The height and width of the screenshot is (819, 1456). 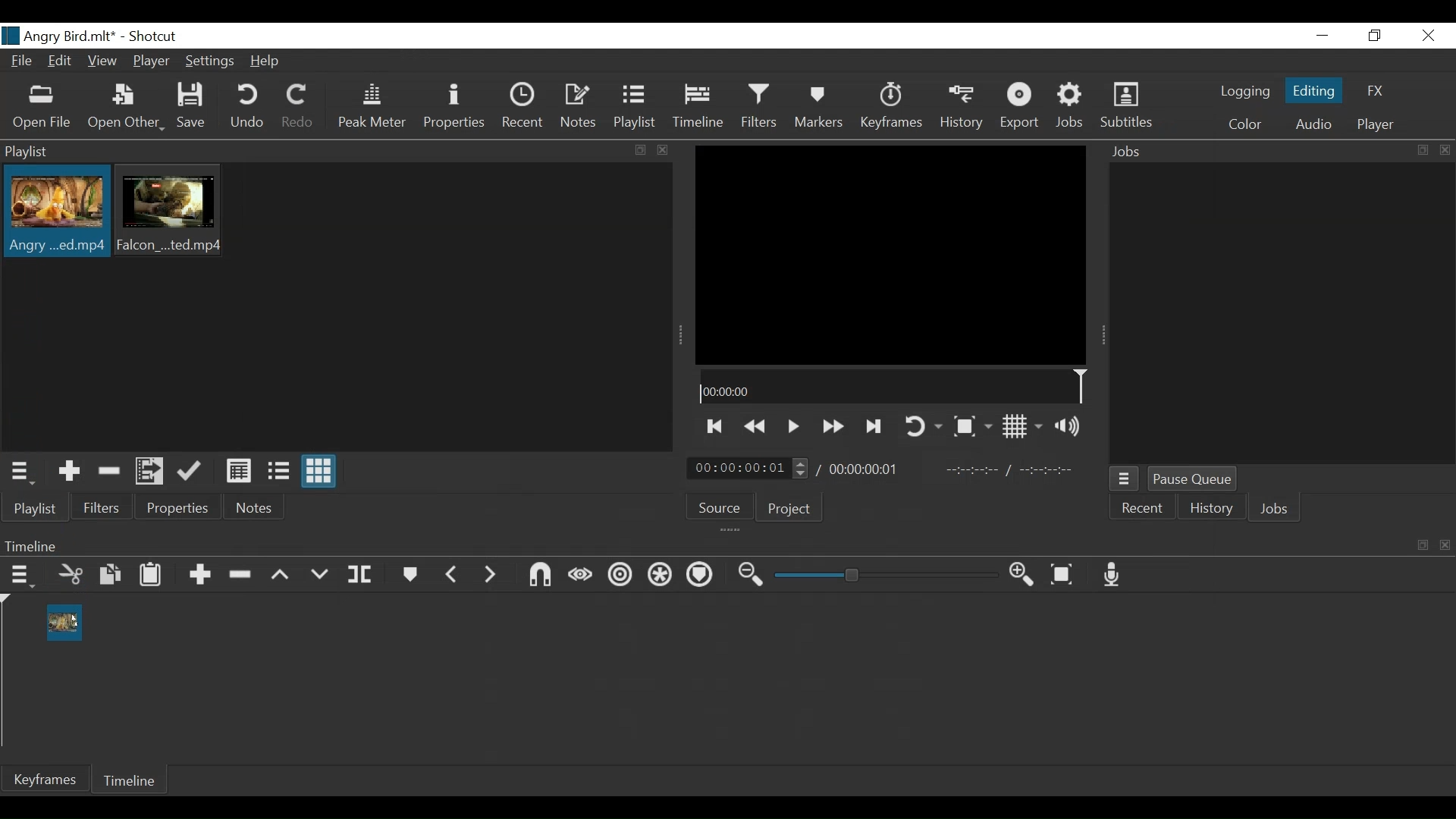 What do you see at coordinates (1141, 510) in the screenshot?
I see `Recent` at bounding box center [1141, 510].